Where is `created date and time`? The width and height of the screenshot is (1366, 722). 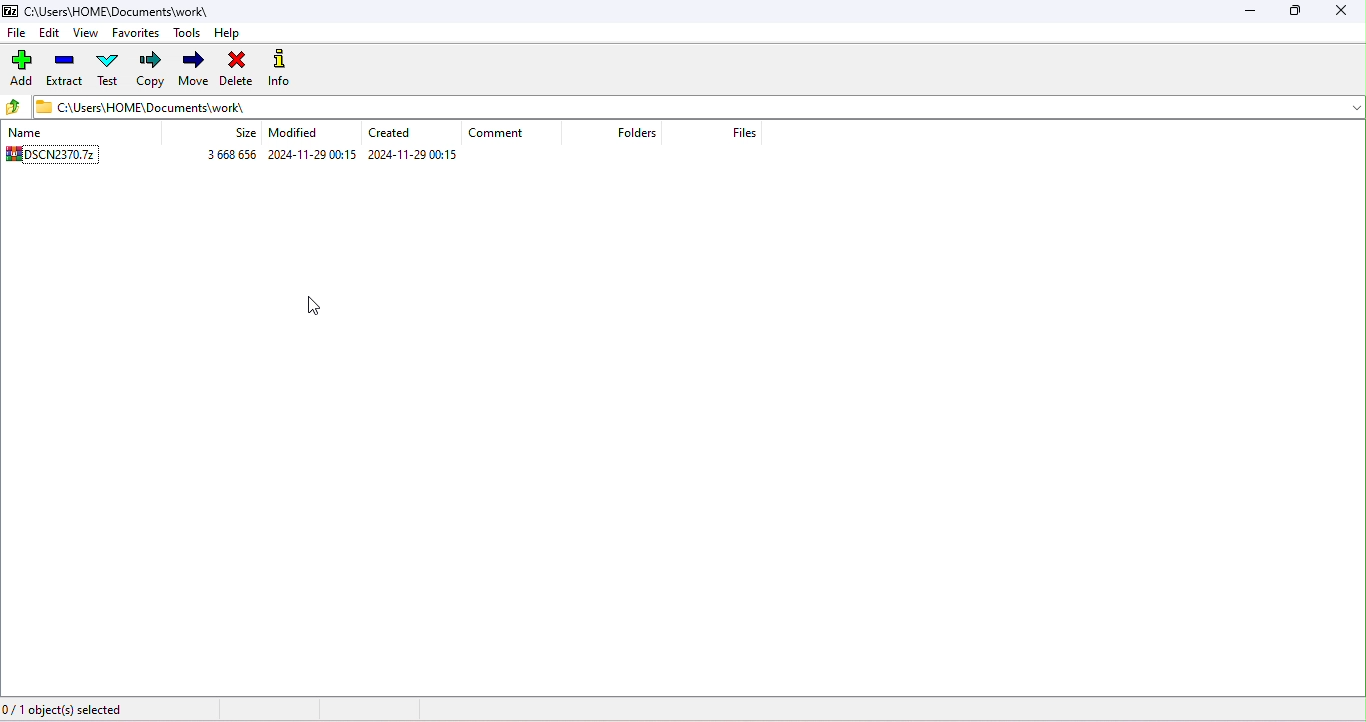 created date and time is located at coordinates (415, 155).